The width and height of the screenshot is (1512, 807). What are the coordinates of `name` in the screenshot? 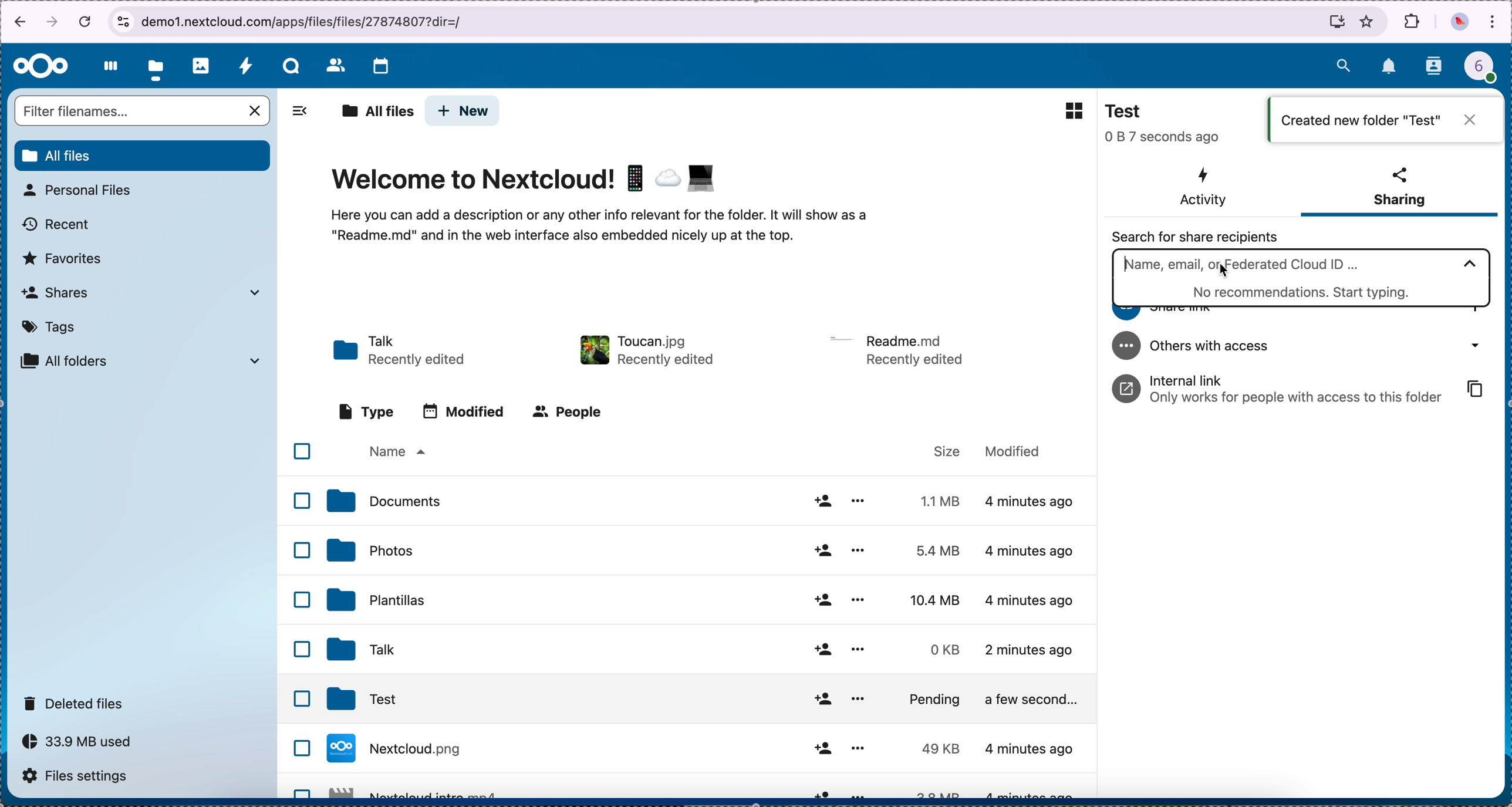 It's located at (396, 453).